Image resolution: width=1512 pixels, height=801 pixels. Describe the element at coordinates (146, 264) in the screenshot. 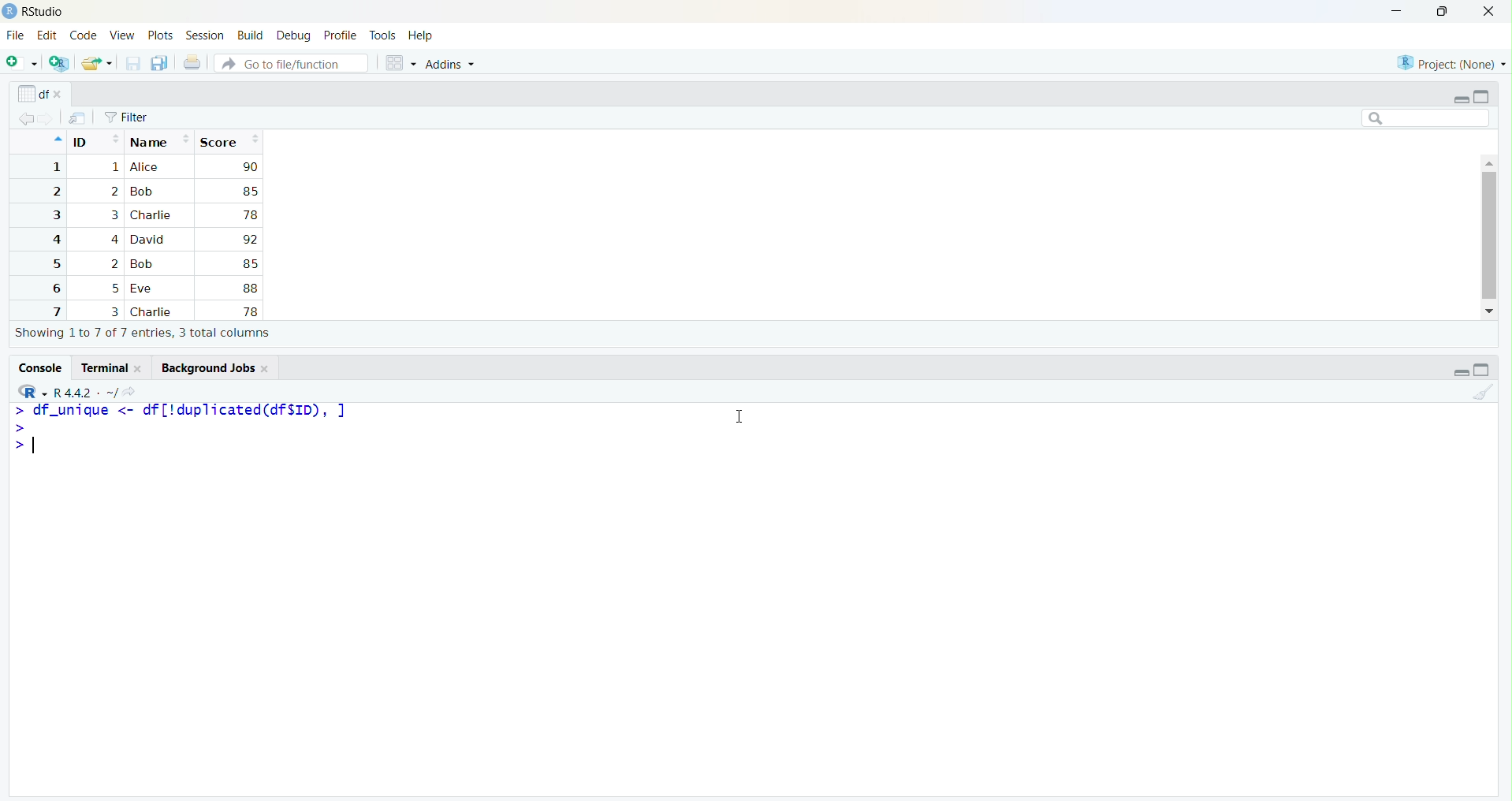

I see `Bob` at that location.